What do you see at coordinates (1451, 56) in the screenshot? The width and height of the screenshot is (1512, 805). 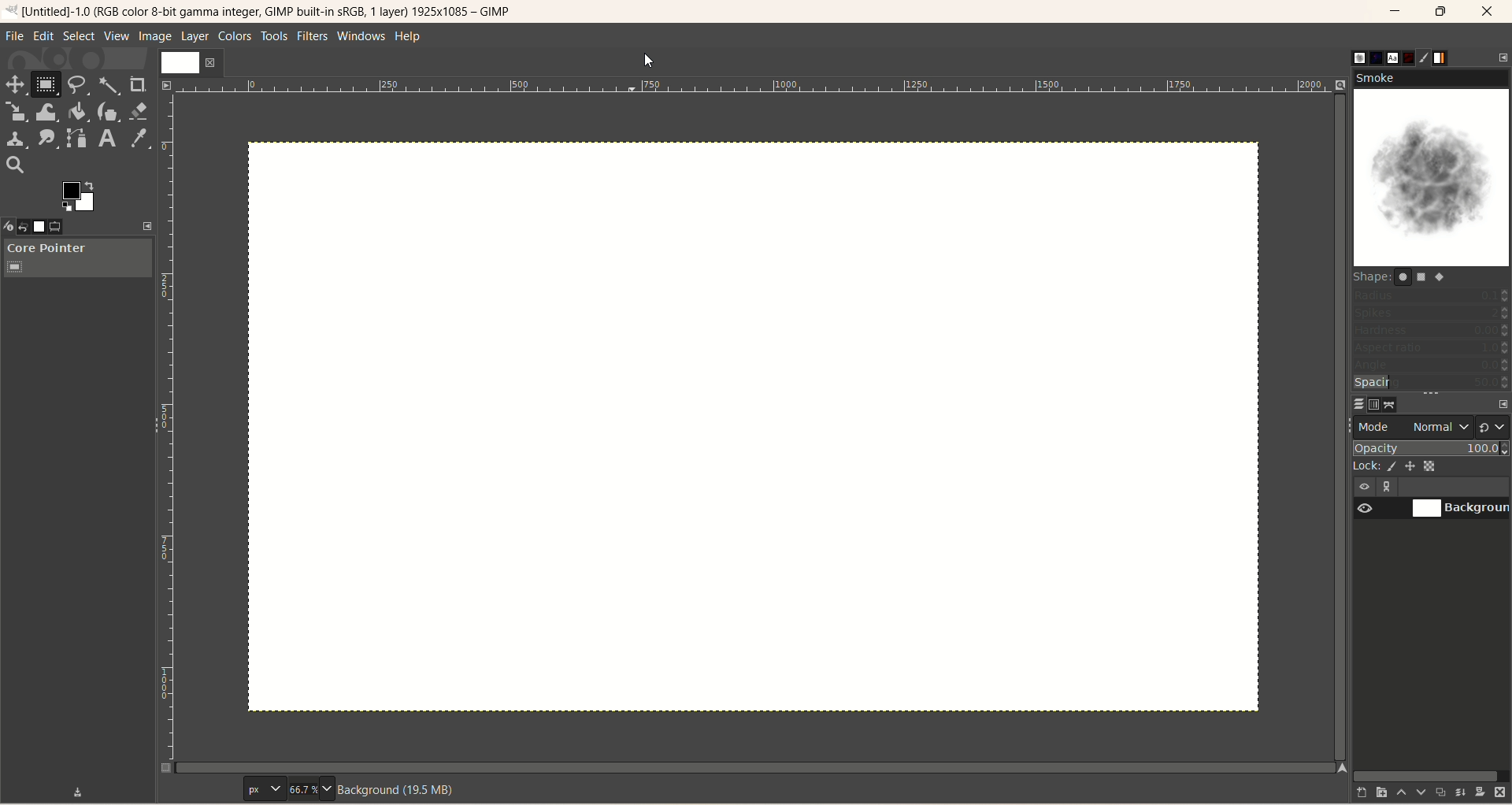 I see `gradient` at bounding box center [1451, 56].